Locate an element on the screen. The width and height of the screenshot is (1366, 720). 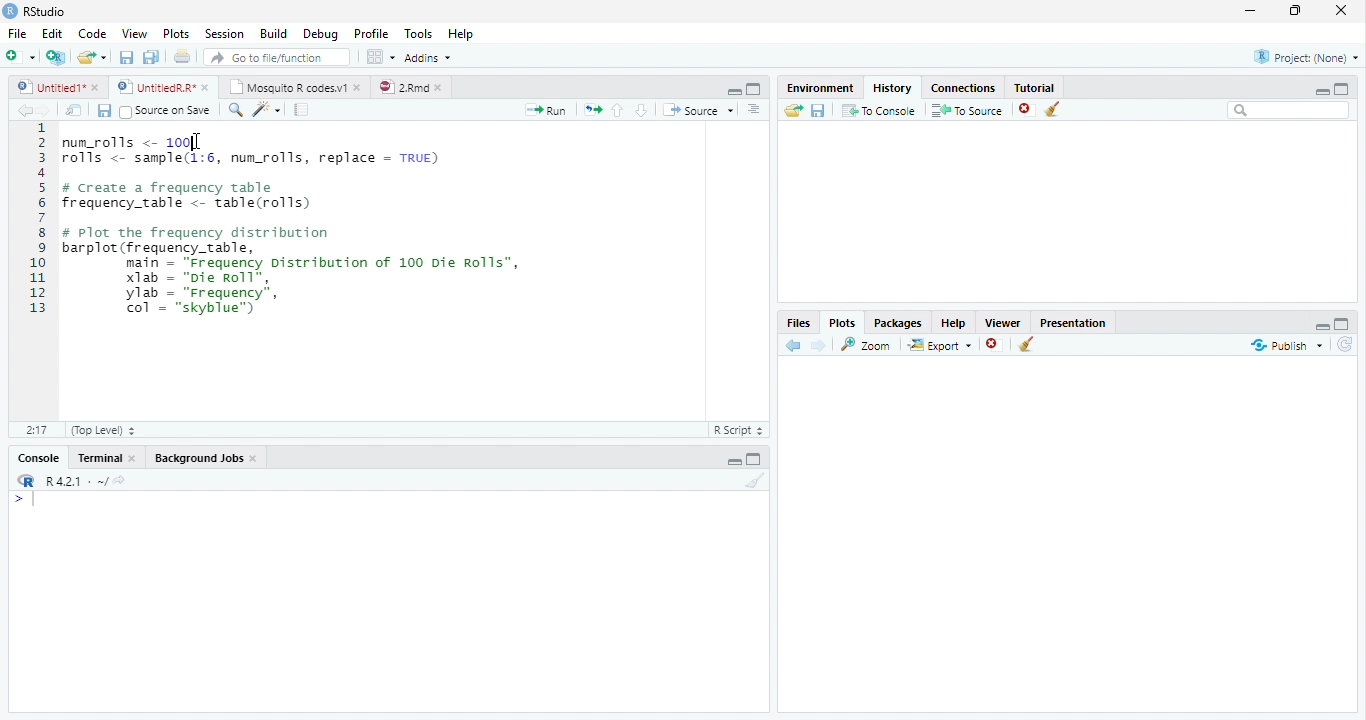
T0 Console is located at coordinates (878, 109).